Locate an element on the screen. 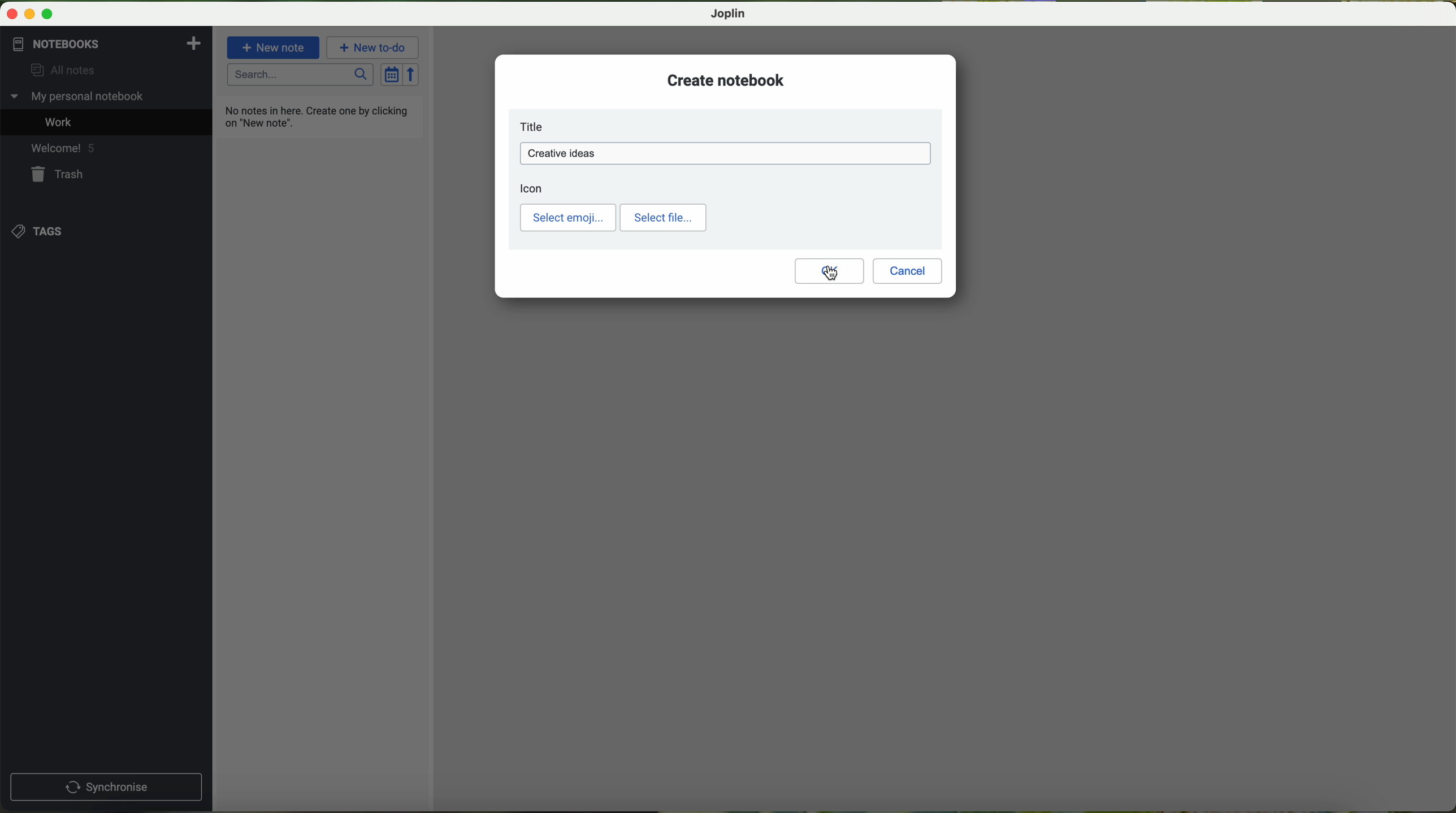  pointer on the notebooks button is located at coordinates (75, 44).